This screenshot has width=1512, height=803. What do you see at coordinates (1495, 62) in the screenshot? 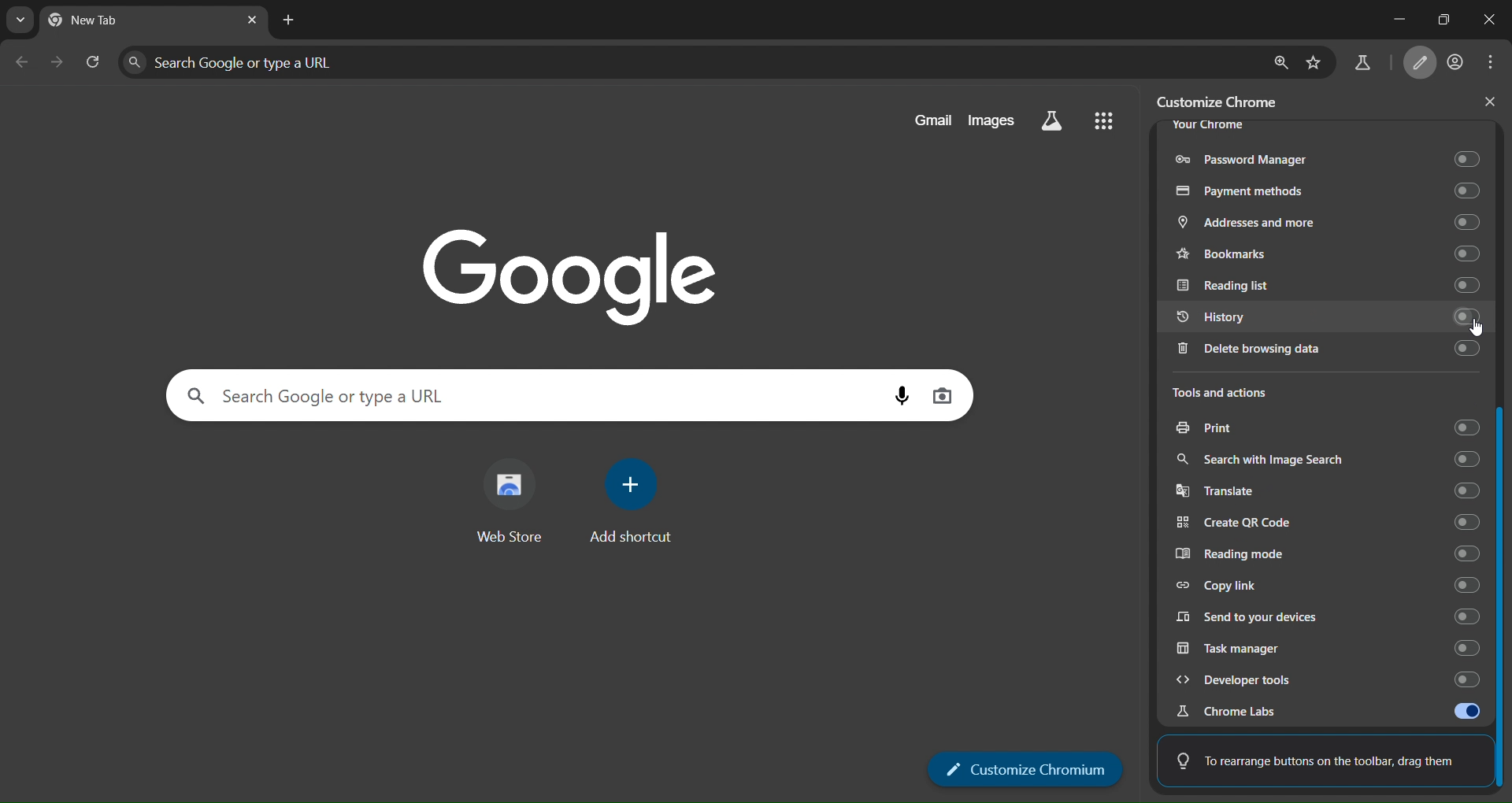
I see `menu` at bounding box center [1495, 62].